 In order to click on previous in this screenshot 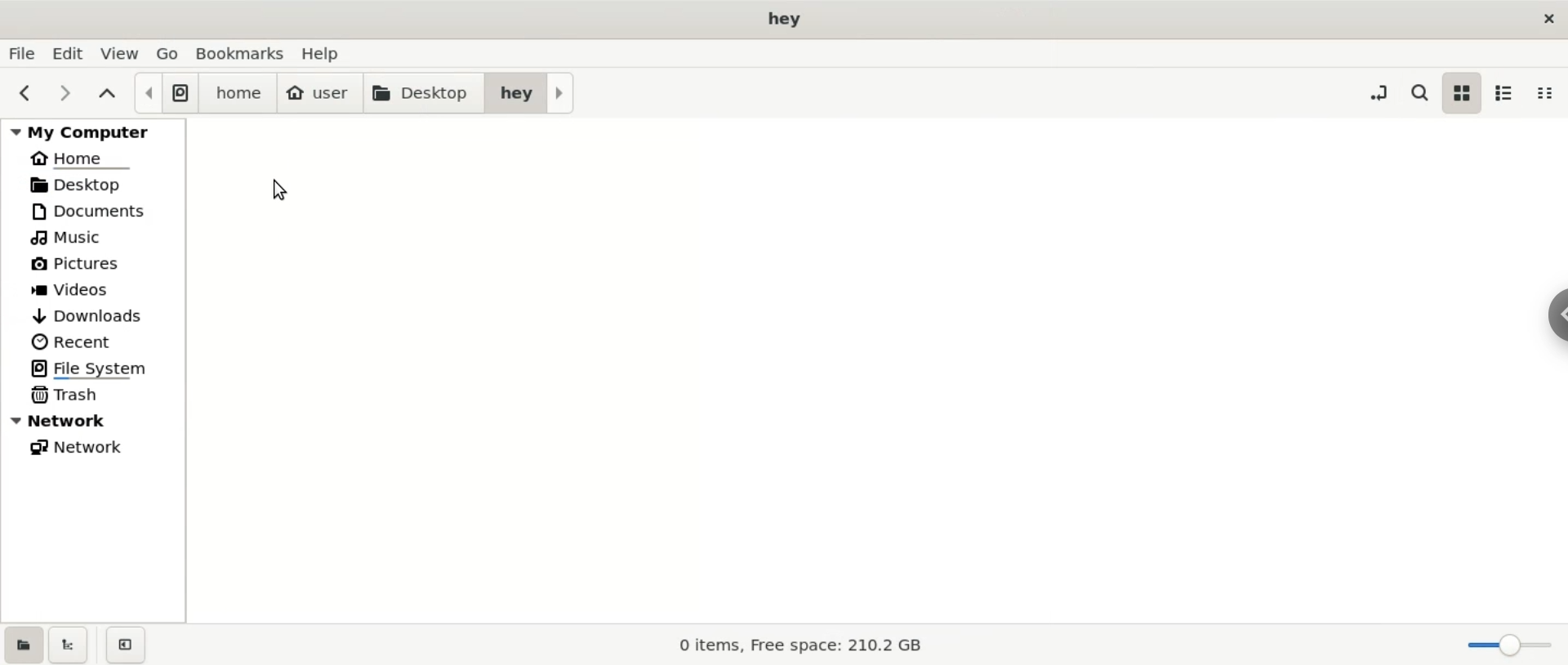, I will do `click(27, 94)`.